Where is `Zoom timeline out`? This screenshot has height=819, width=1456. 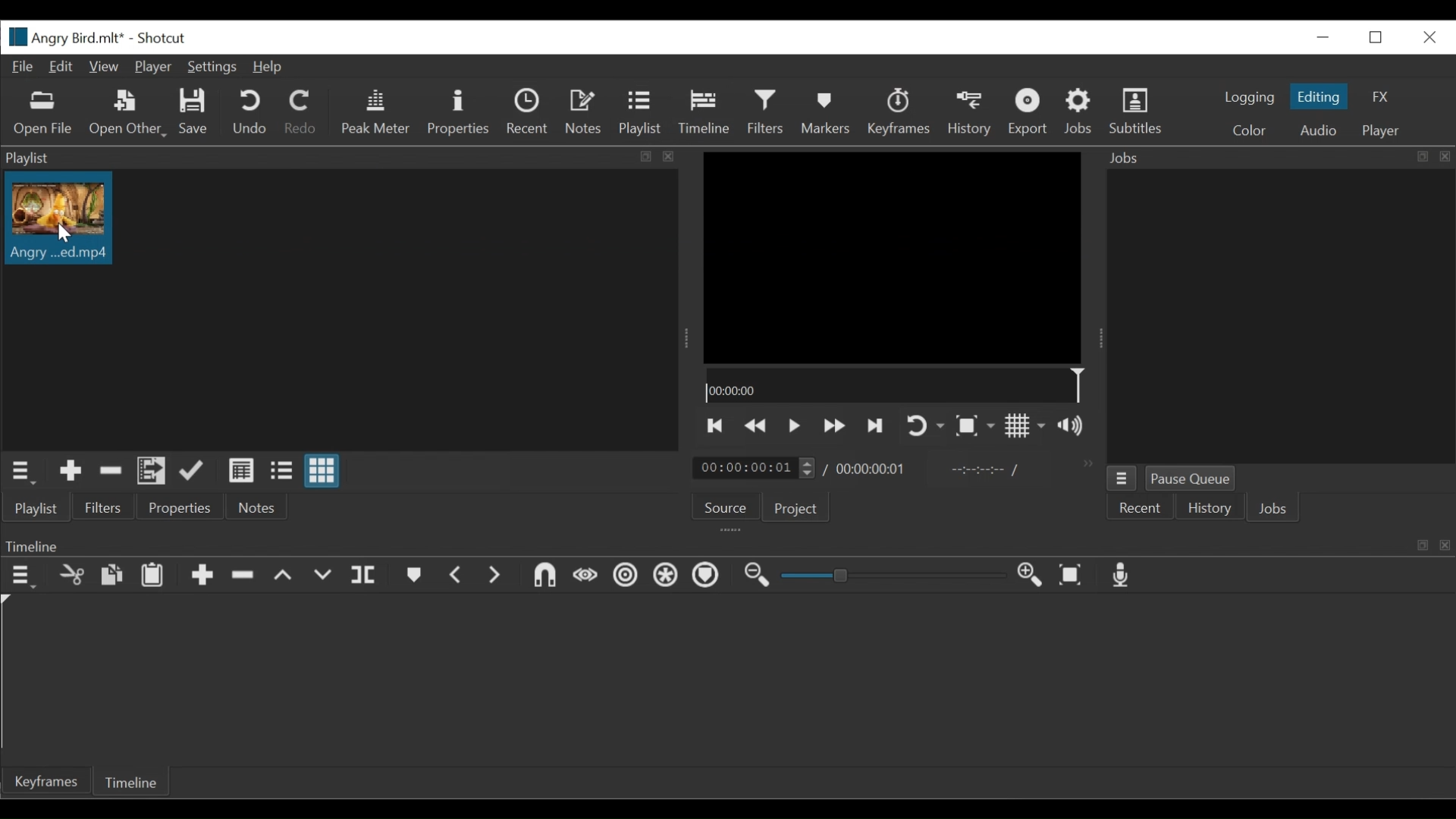
Zoom timeline out is located at coordinates (756, 575).